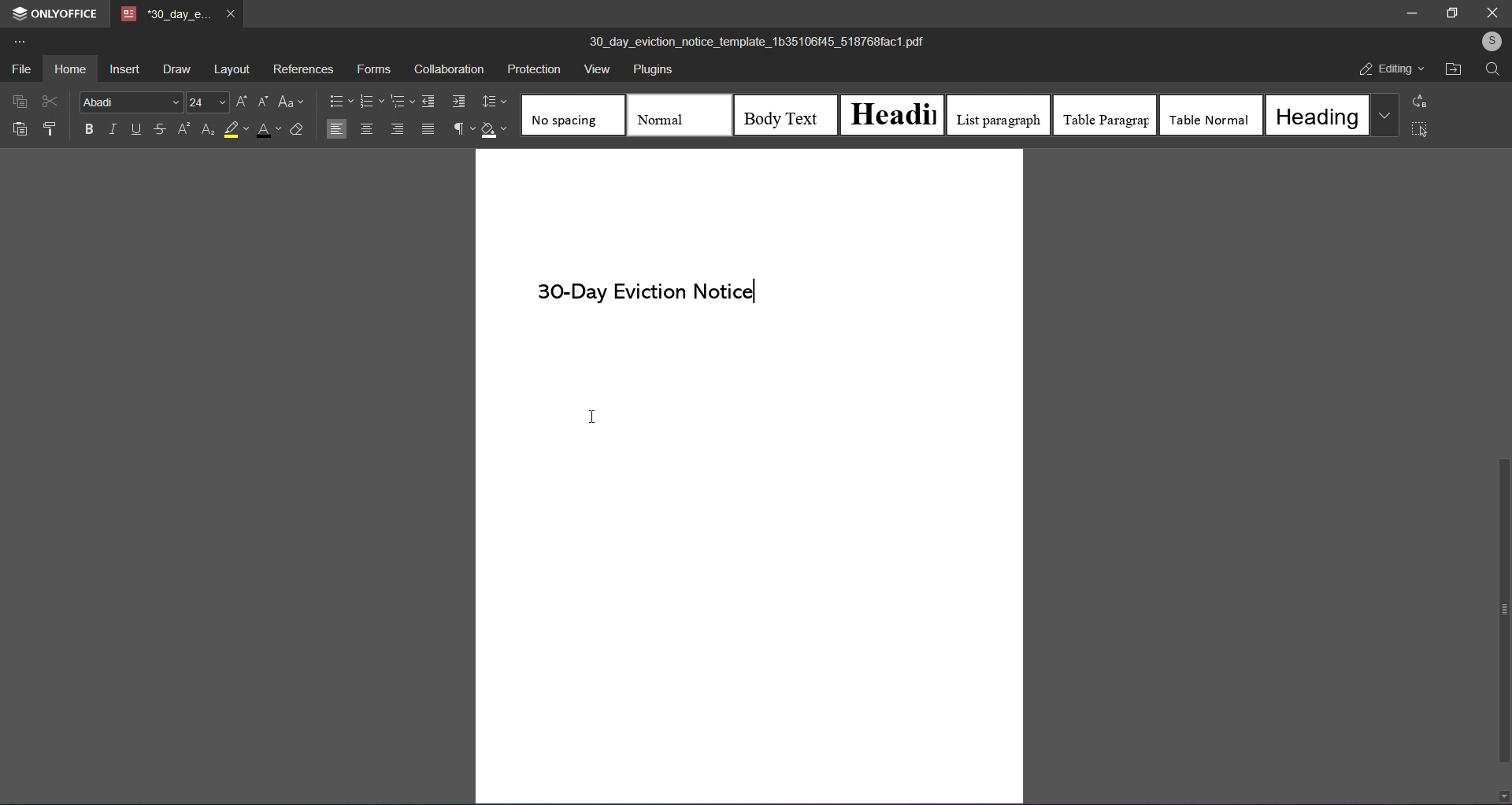 Image resolution: width=1512 pixels, height=805 pixels. I want to click on table paragraph, so click(1103, 115).